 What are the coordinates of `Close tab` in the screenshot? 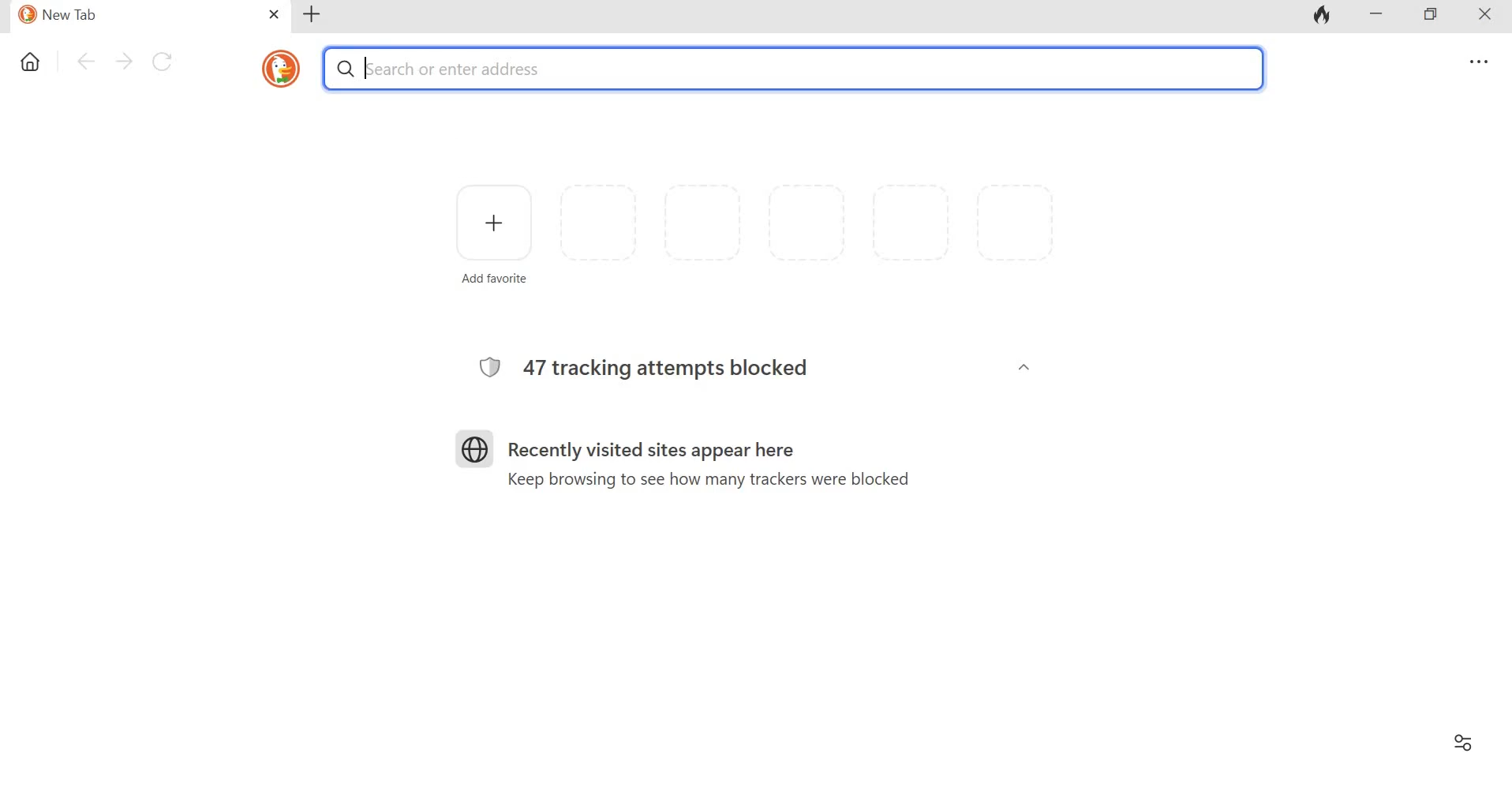 It's located at (274, 14).